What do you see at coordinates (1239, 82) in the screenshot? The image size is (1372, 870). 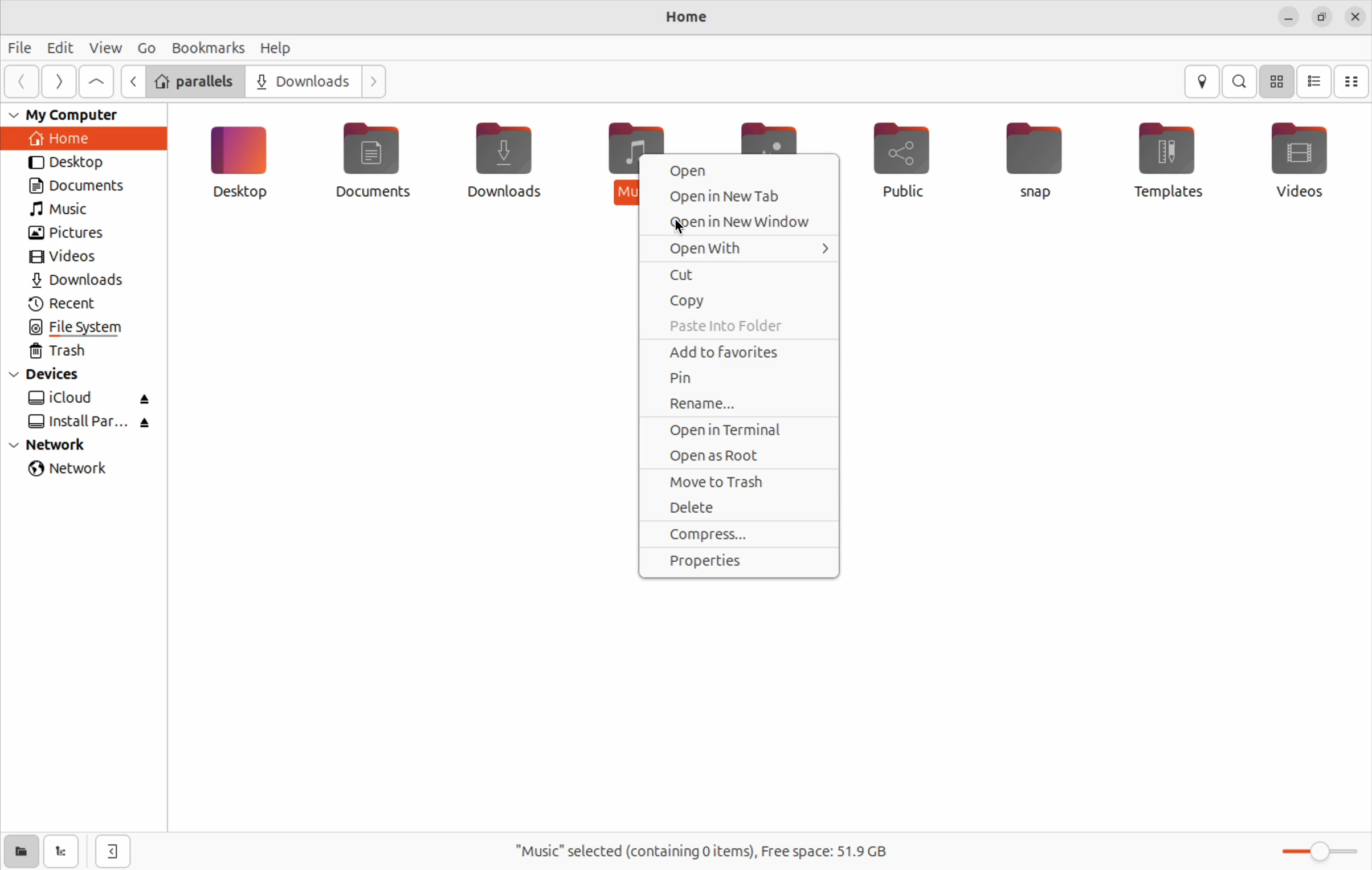 I see `search` at bounding box center [1239, 82].